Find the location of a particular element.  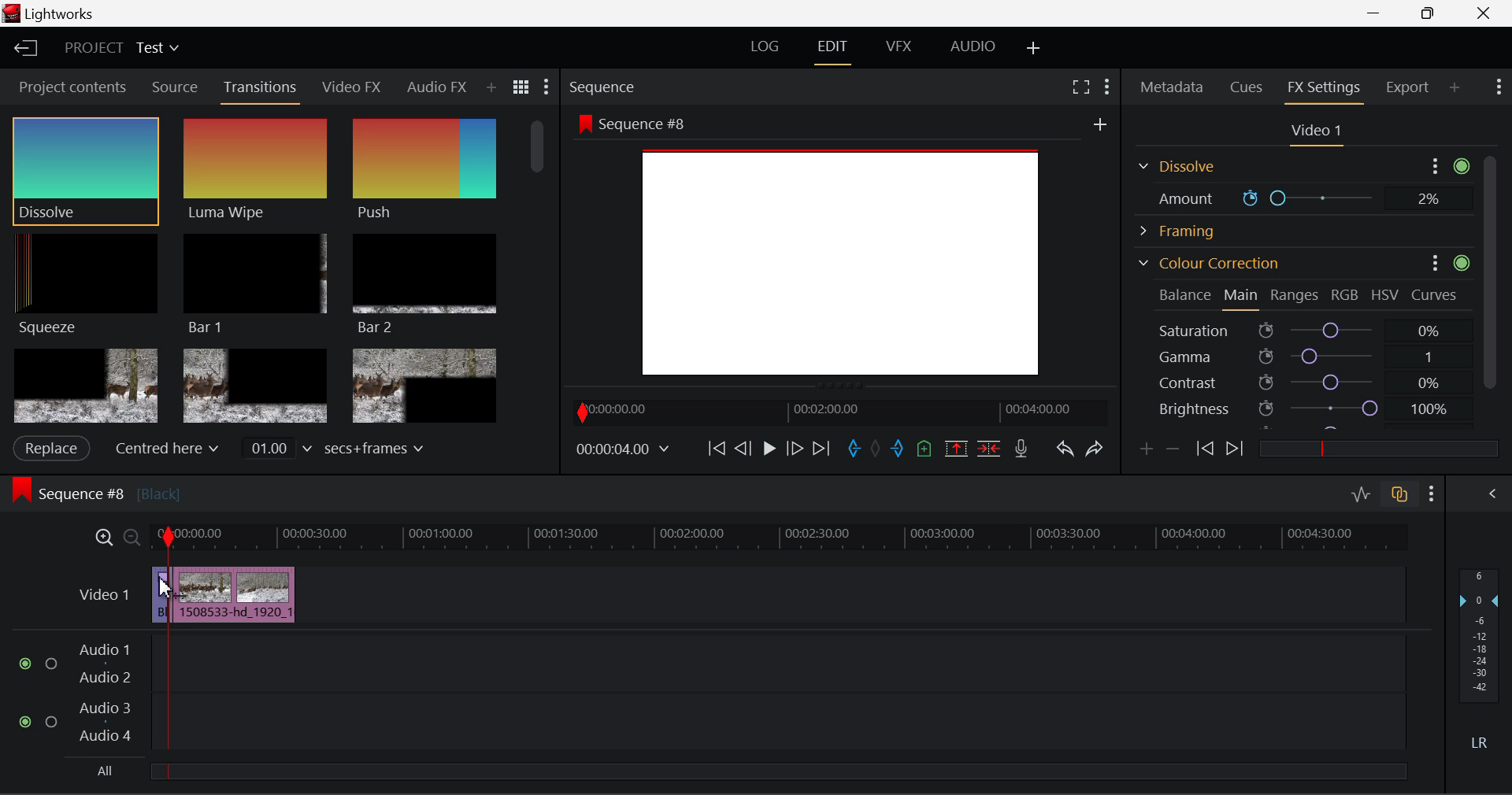

Sequence Preview Section is located at coordinates (606, 88).